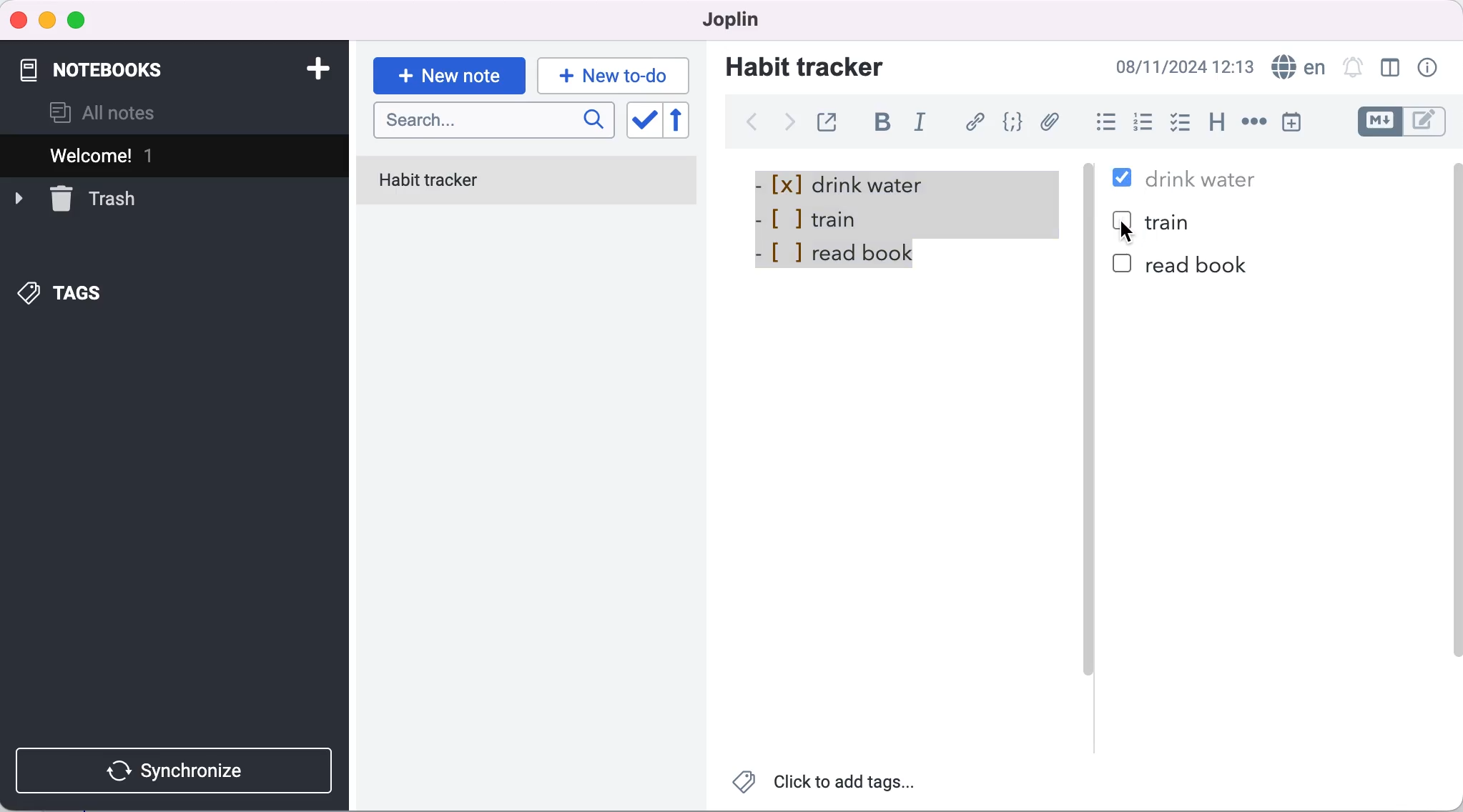 The image size is (1463, 812). What do you see at coordinates (1181, 117) in the screenshot?
I see `checkbox` at bounding box center [1181, 117].